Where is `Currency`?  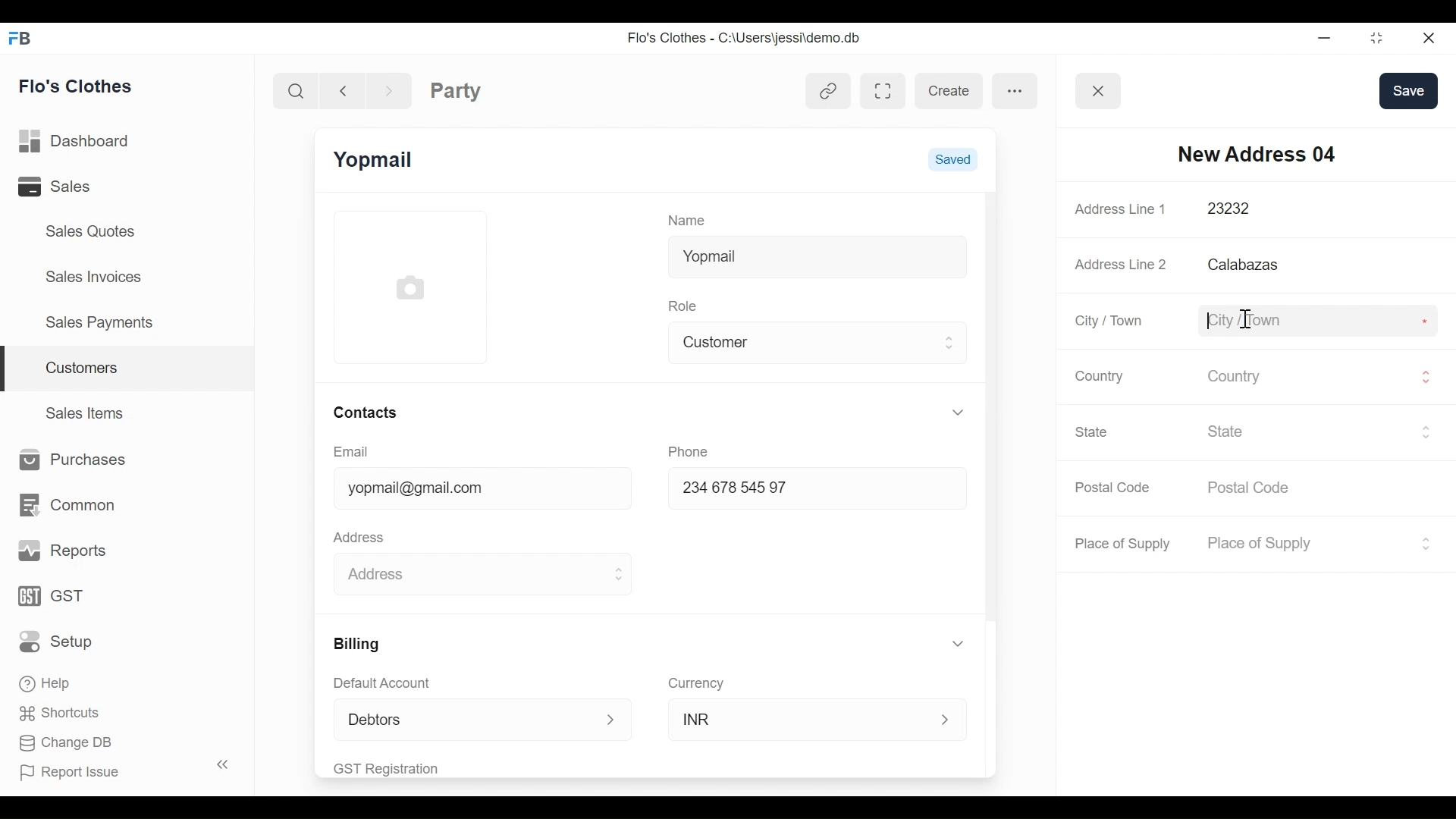 Currency is located at coordinates (697, 682).